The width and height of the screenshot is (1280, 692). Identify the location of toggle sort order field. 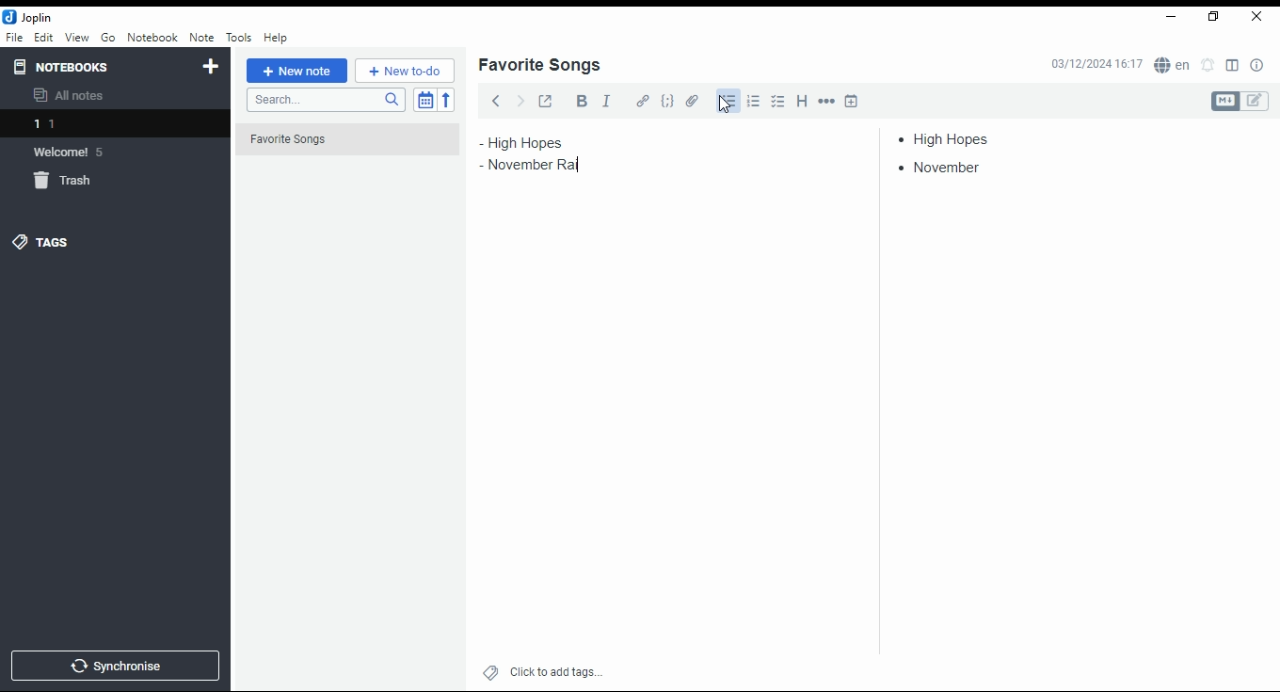
(425, 100).